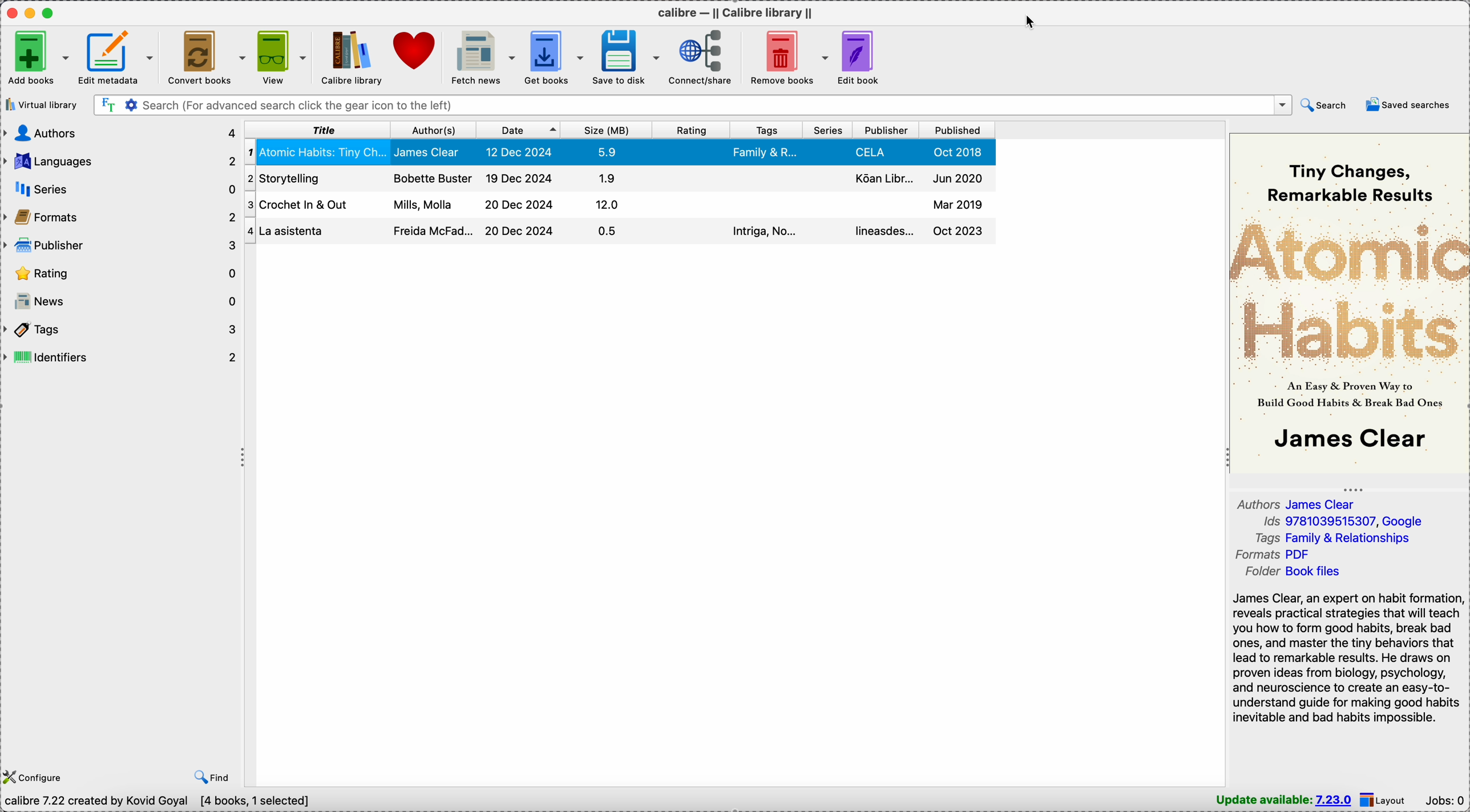 The width and height of the screenshot is (1470, 812). What do you see at coordinates (621, 177) in the screenshot?
I see `Crochet In & Out book details` at bounding box center [621, 177].